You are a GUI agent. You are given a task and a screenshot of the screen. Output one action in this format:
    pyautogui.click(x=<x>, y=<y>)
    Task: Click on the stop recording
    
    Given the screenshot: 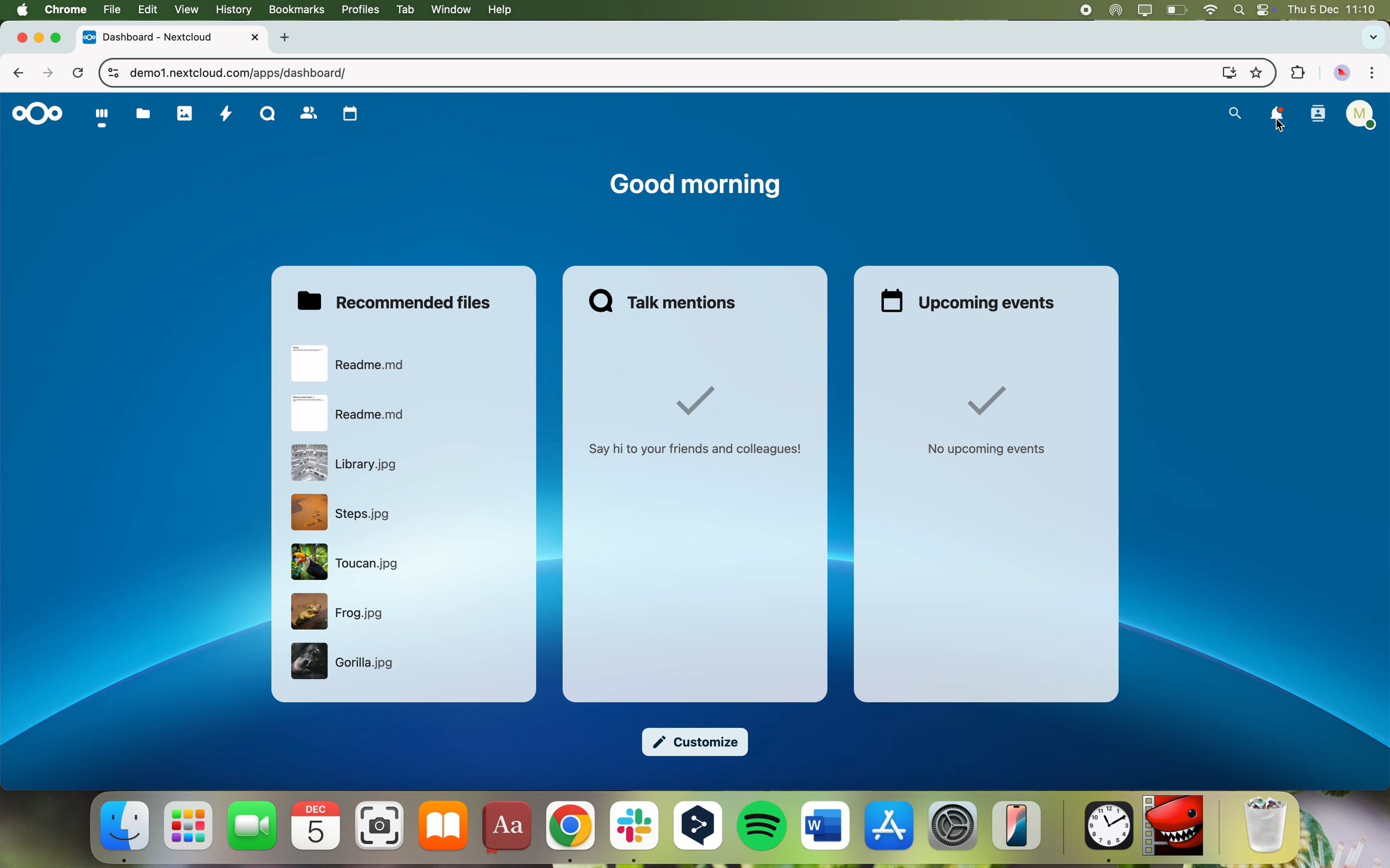 What is the action you would take?
    pyautogui.click(x=1077, y=10)
    